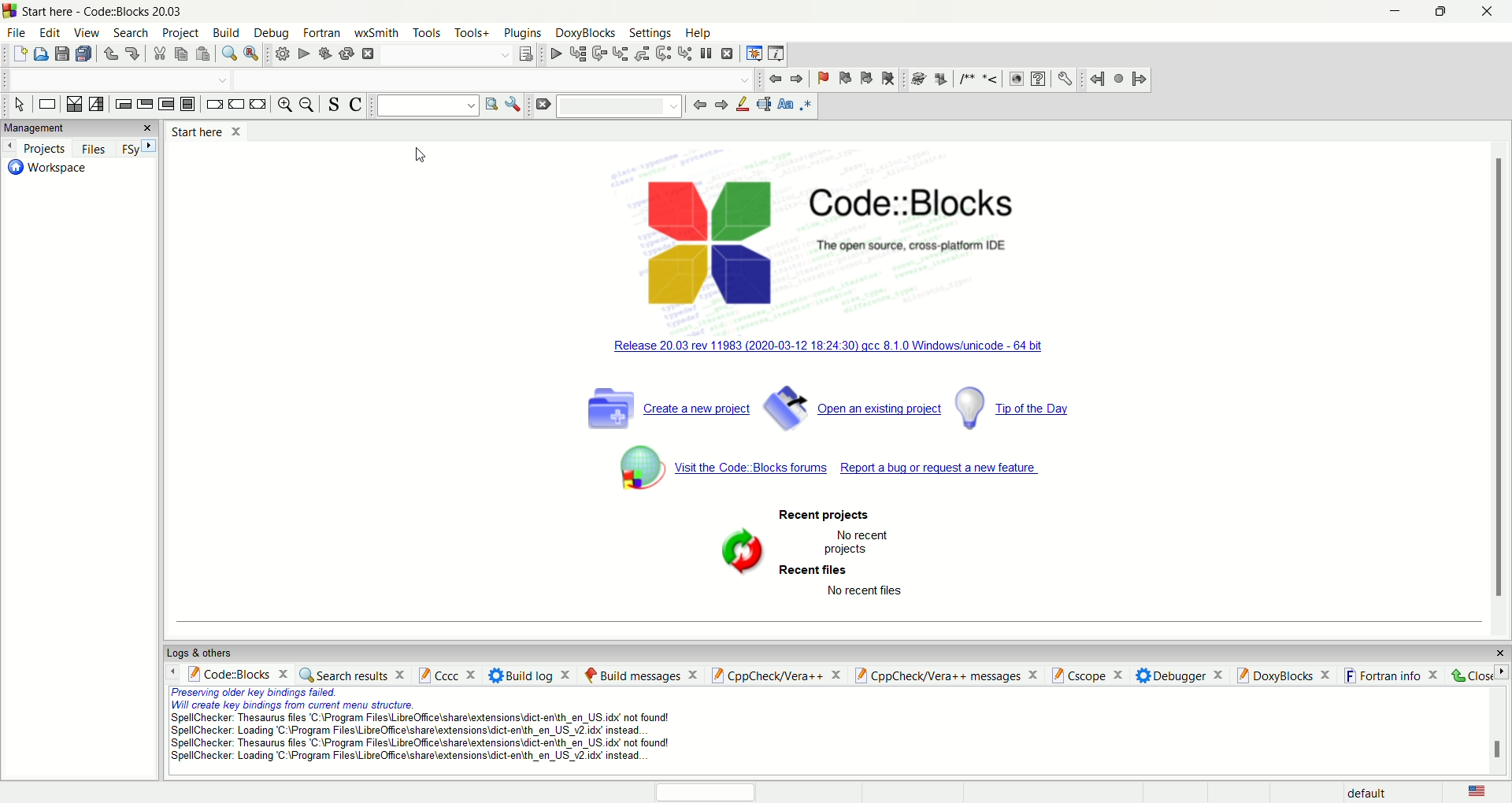 The height and width of the screenshot is (803, 1512). Describe the element at coordinates (786, 107) in the screenshot. I see `match case` at that location.